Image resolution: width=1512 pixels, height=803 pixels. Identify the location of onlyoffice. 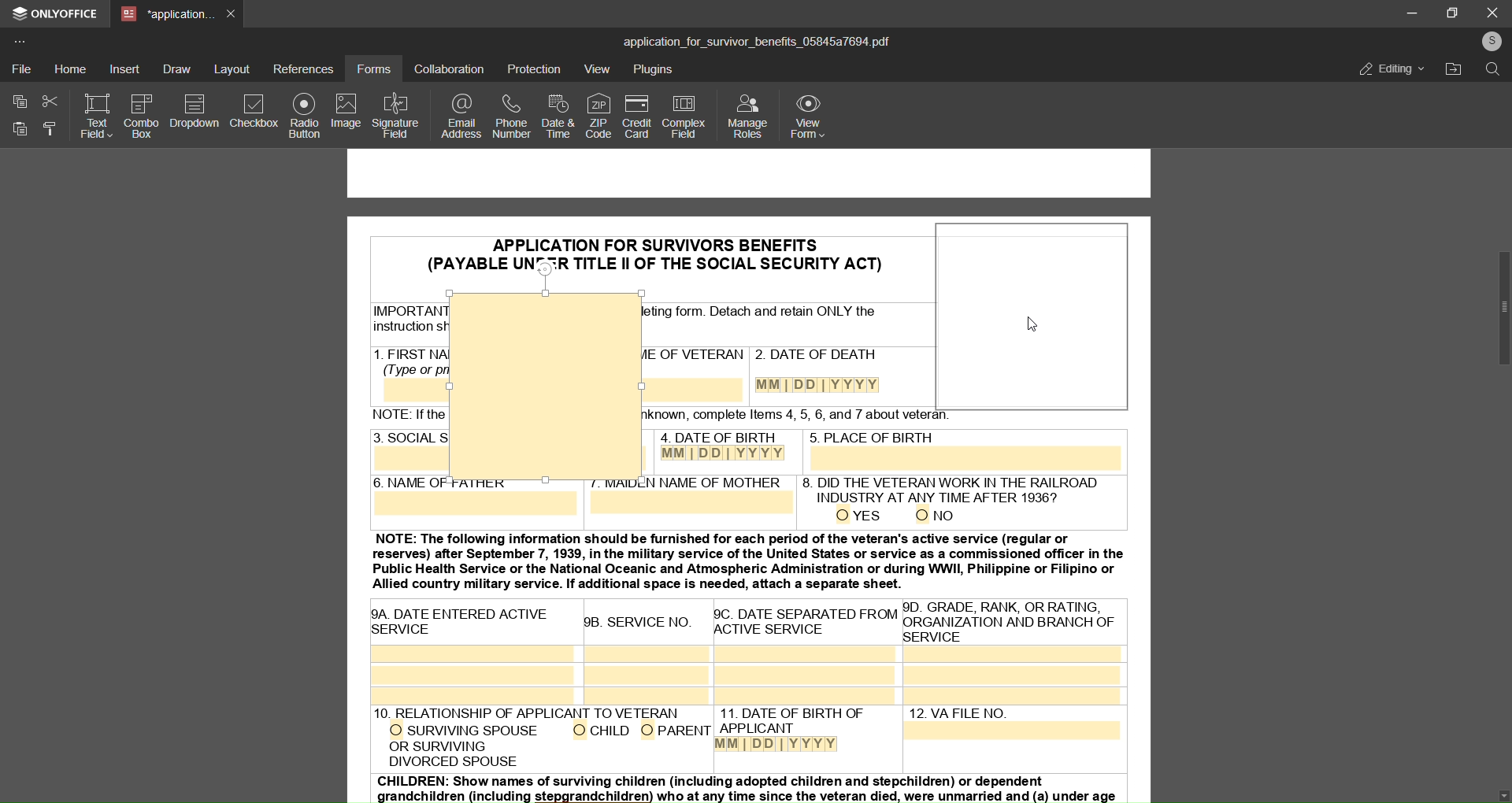
(57, 16).